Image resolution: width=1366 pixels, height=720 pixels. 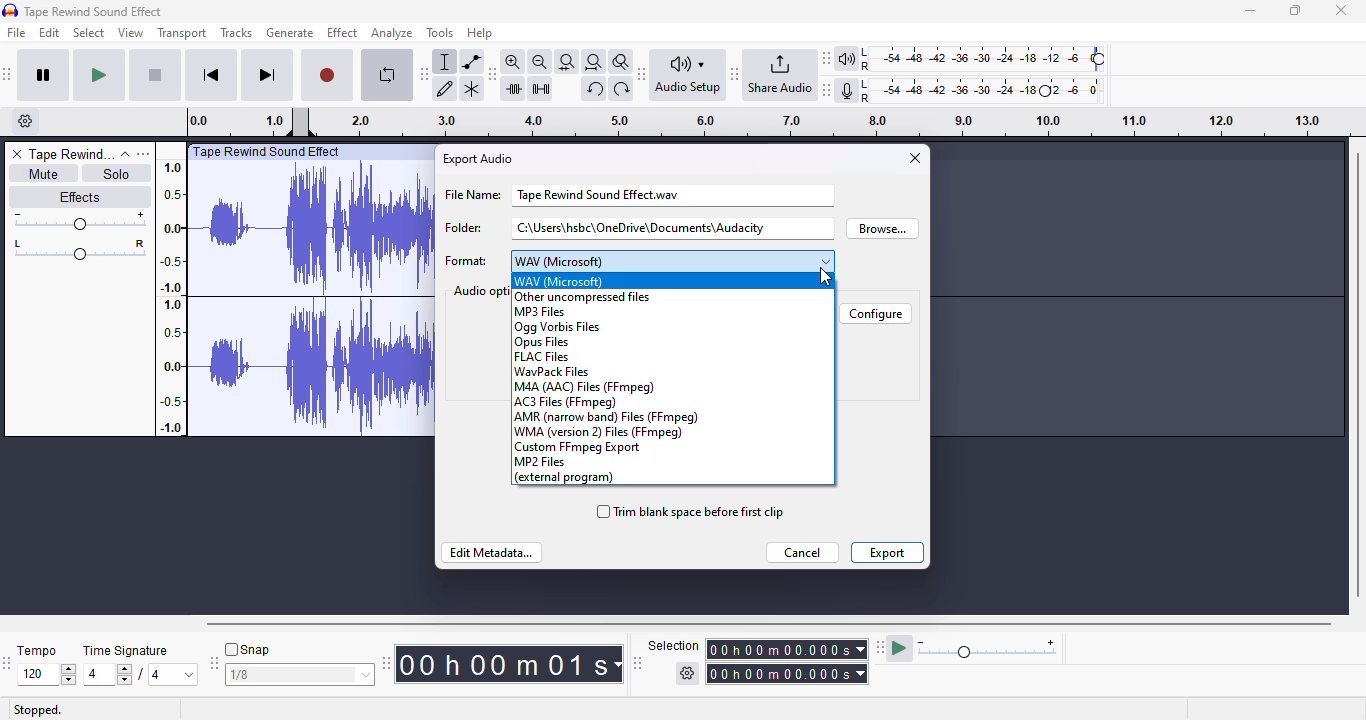 What do you see at coordinates (887, 552) in the screenshot?
I see `export` at bounding box center [887, 552].